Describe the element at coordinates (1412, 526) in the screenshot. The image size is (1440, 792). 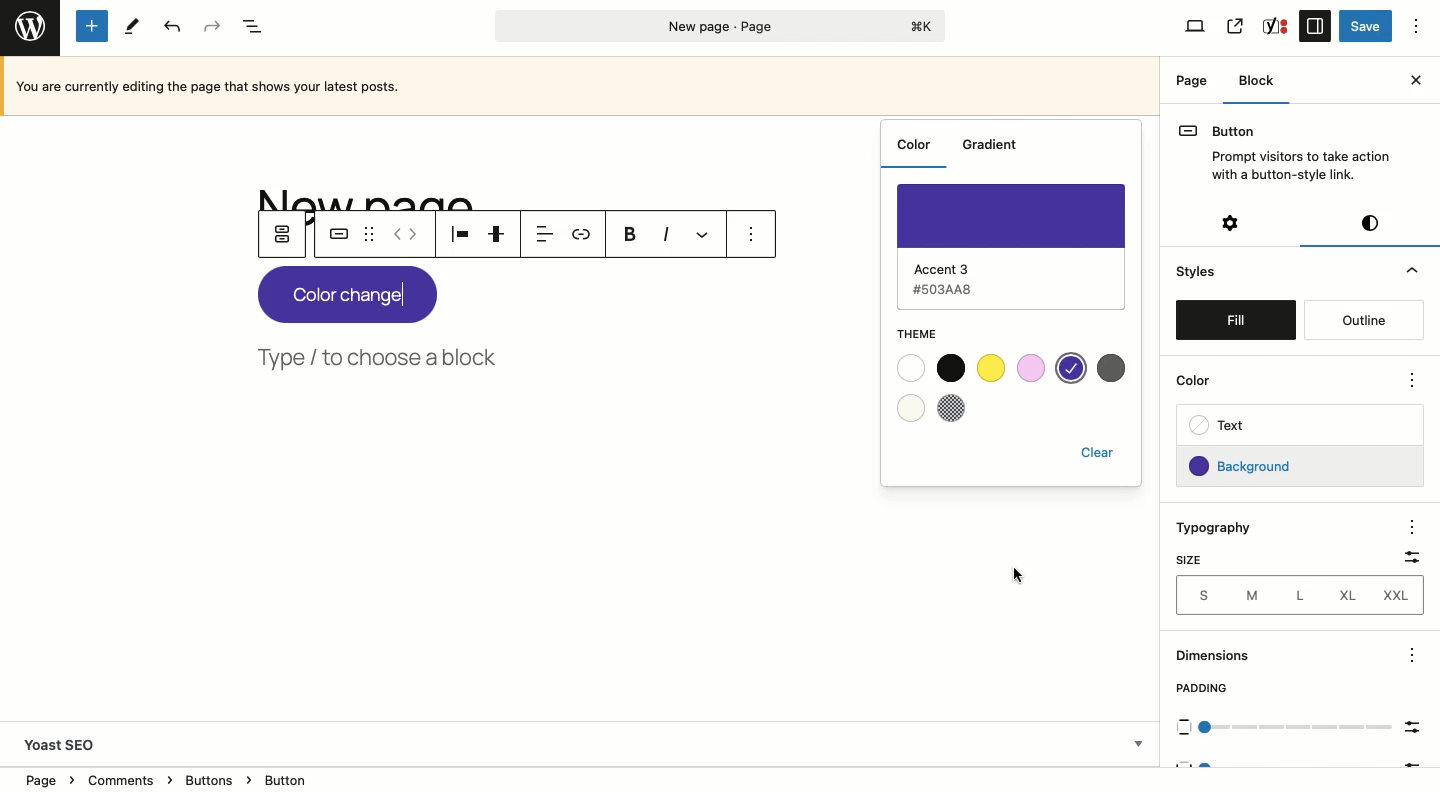
I see `options` at that location.